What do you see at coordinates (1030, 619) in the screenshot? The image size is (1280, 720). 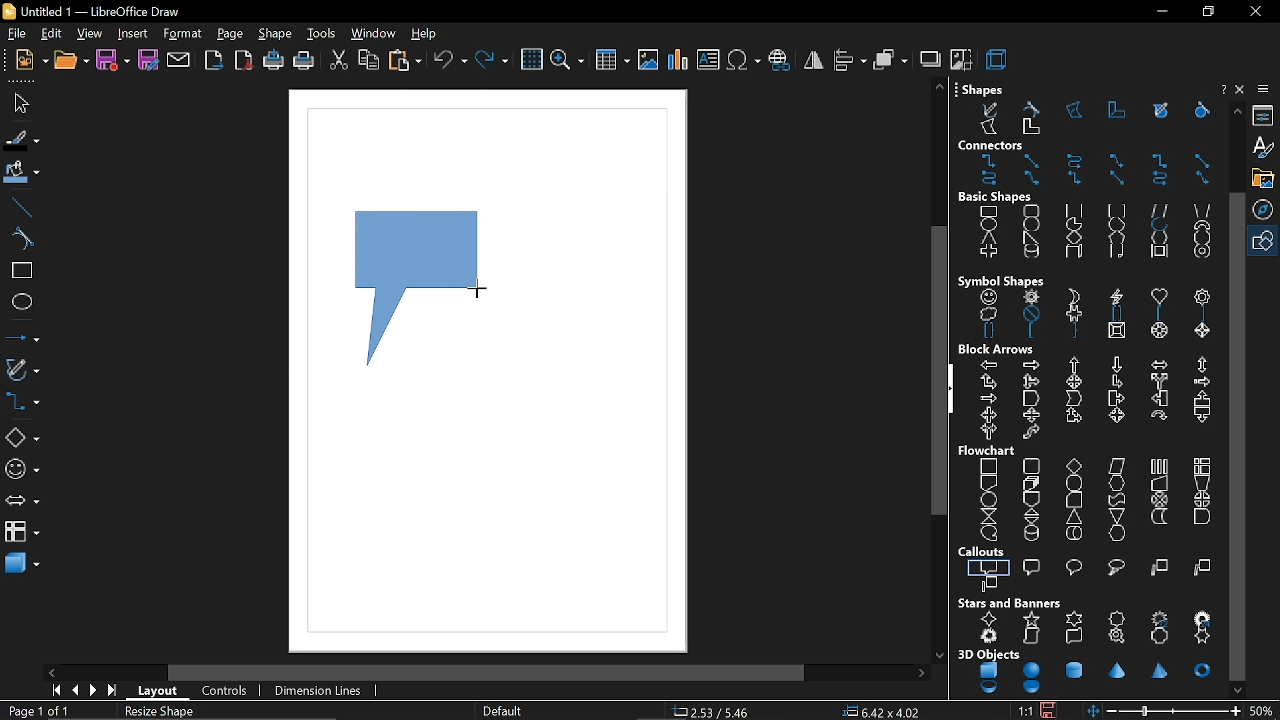 I see `5 point star` at bounding box center [1030, 619].